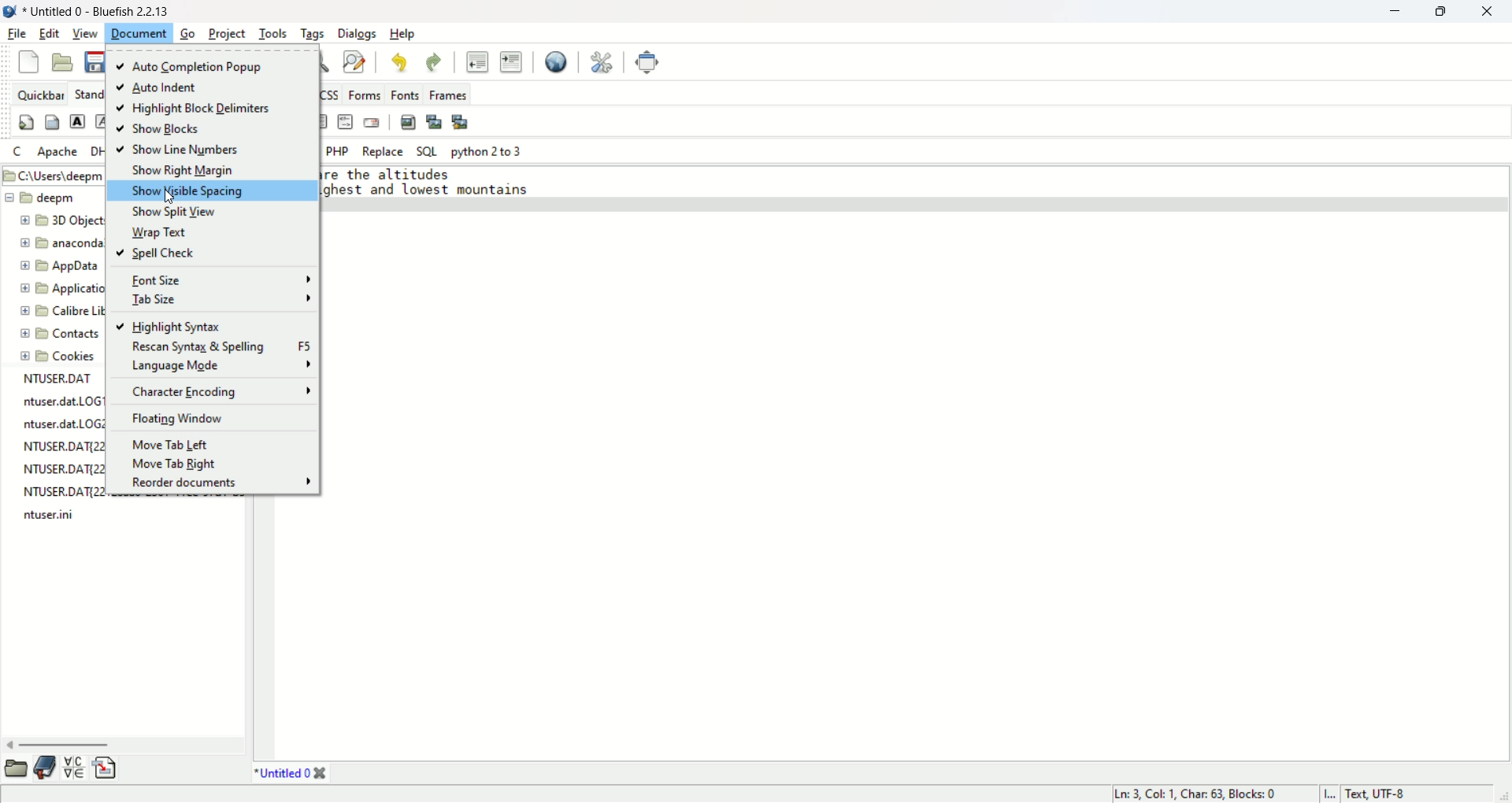 The width and height of the screenshot is (1512, 803). I want to click on CSS, so click(331, 91).